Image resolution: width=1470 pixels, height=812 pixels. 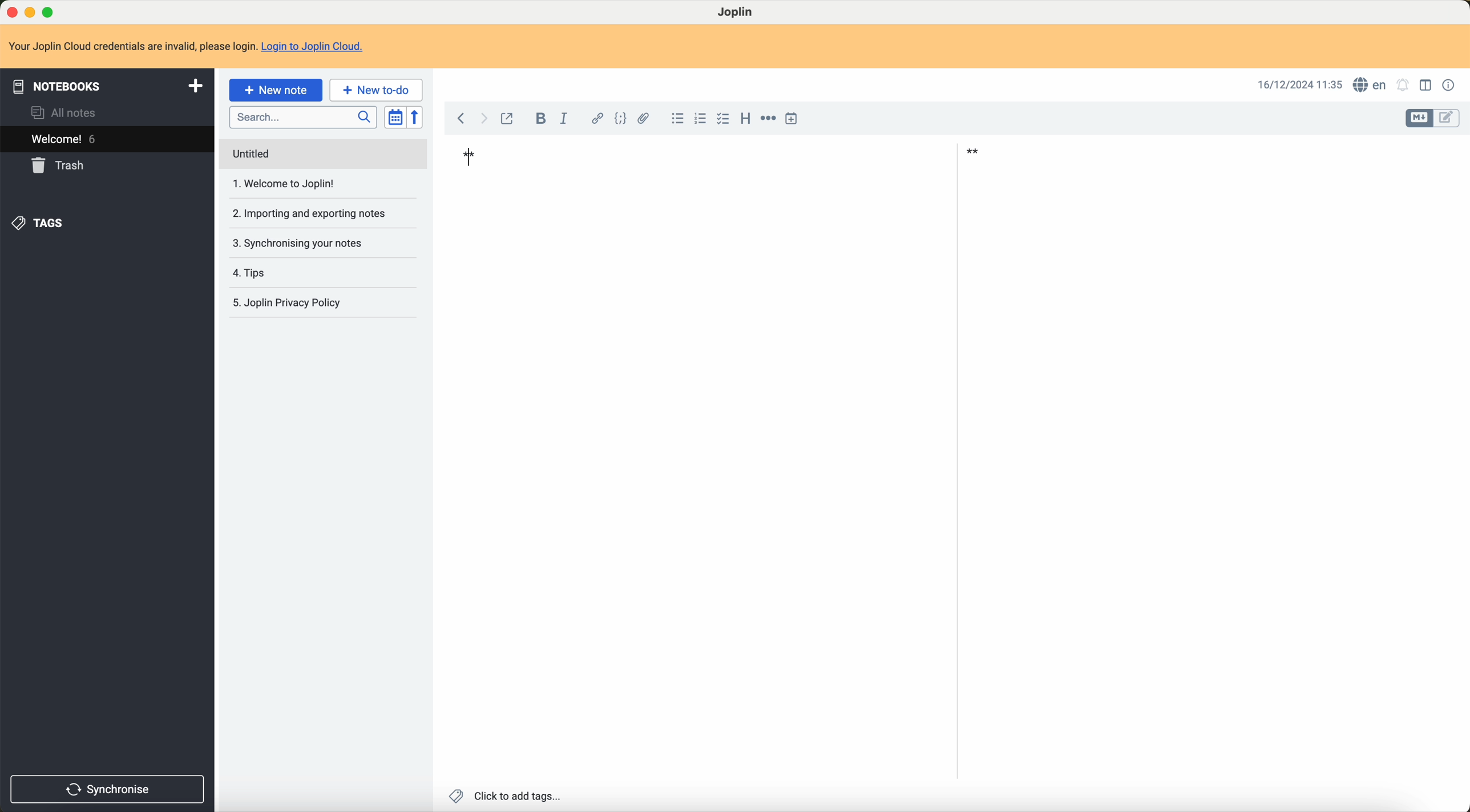 I want to click on all notes, so click(x=64, y=114).